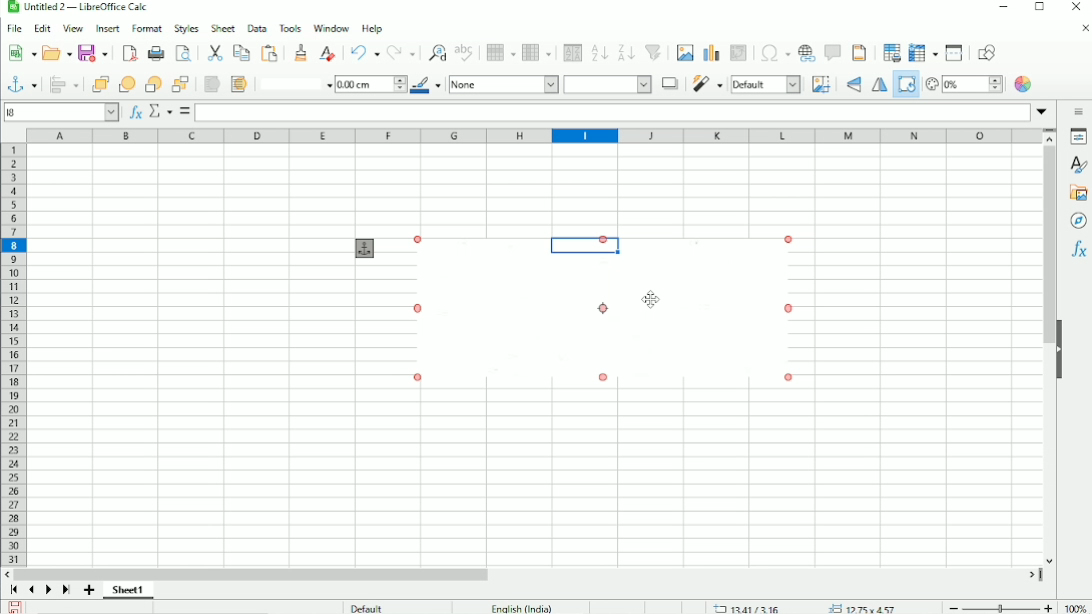 The width and height of the screenshot is (1092, 614). Describe the element at coordinates (238, 84) in the screenshot. I see `To background` at that location.